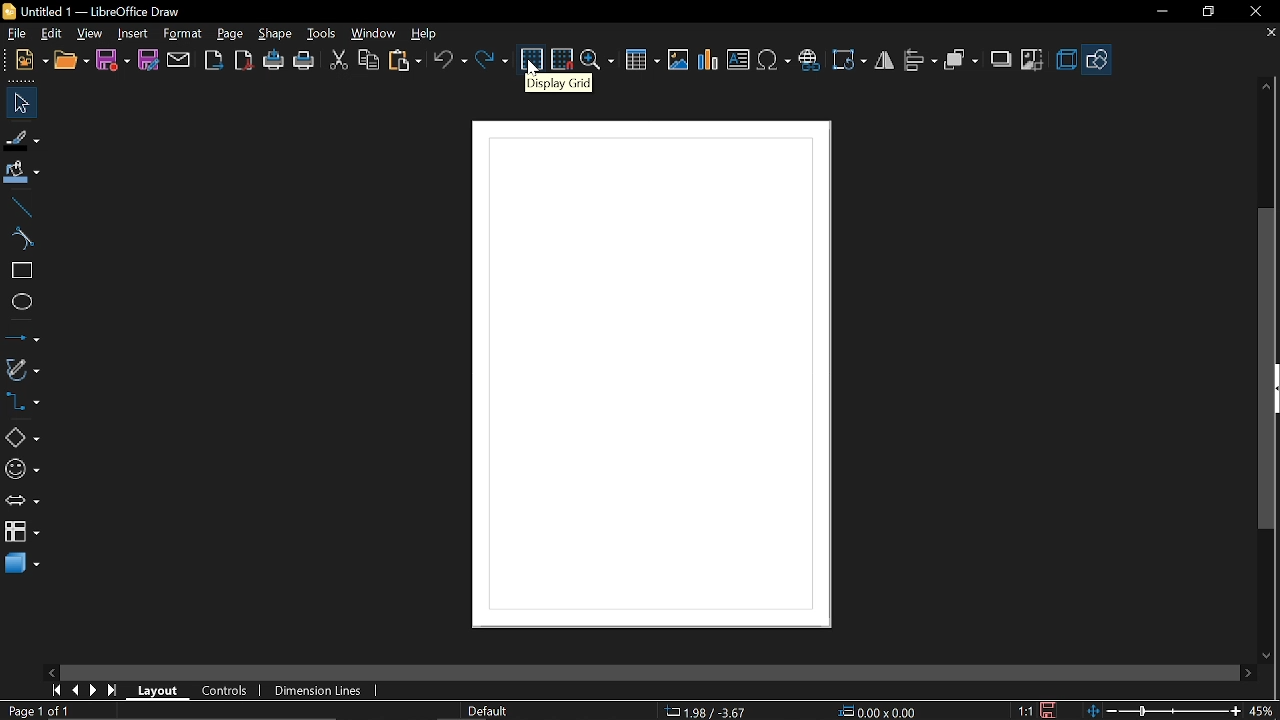  Describe the element at coordinates (431, 34) in the screenshot. I see `help` at that location.